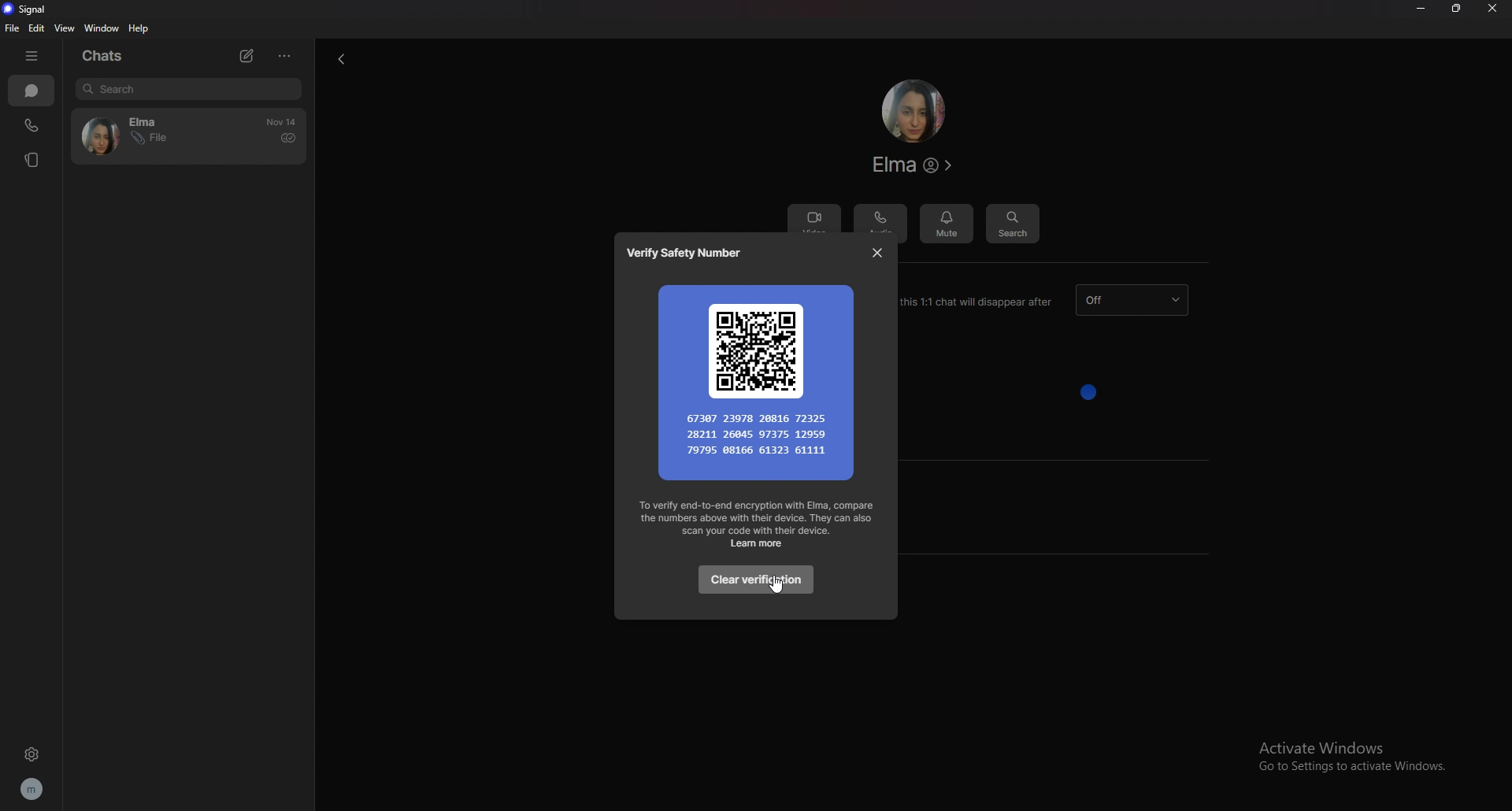  I want to click on call, so click(31, 127).